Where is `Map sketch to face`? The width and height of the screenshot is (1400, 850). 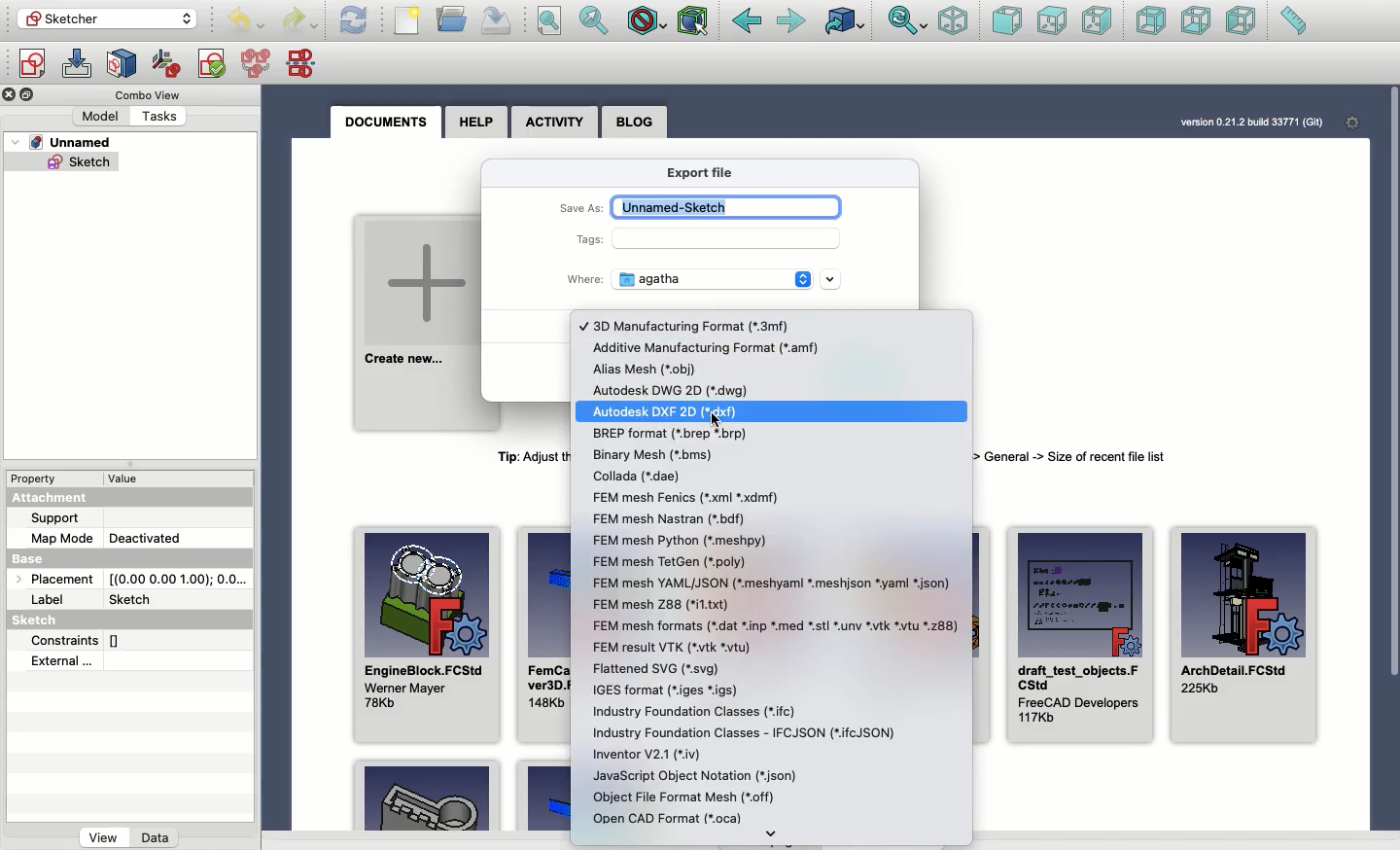
Map sketch to face is located at coordinates (125, 63).